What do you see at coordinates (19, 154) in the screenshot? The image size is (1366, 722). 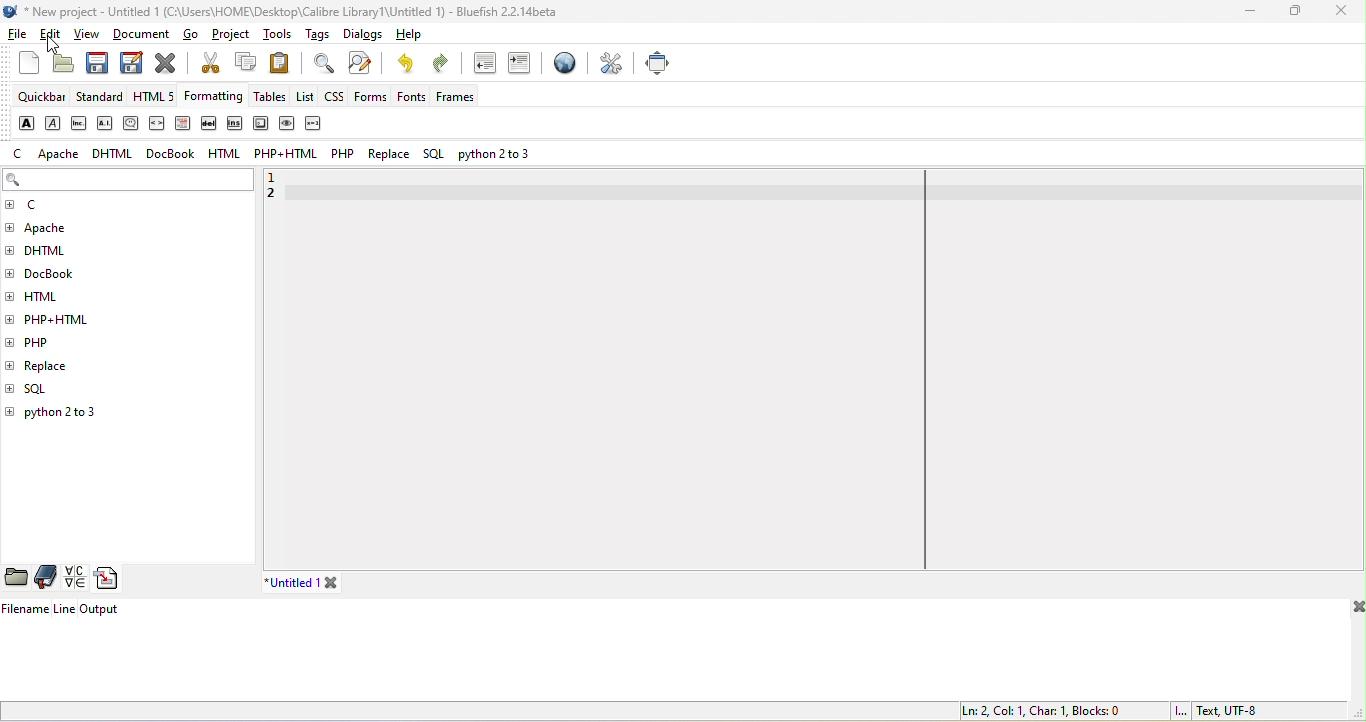 I see `c` at bounding box center [19, 154].